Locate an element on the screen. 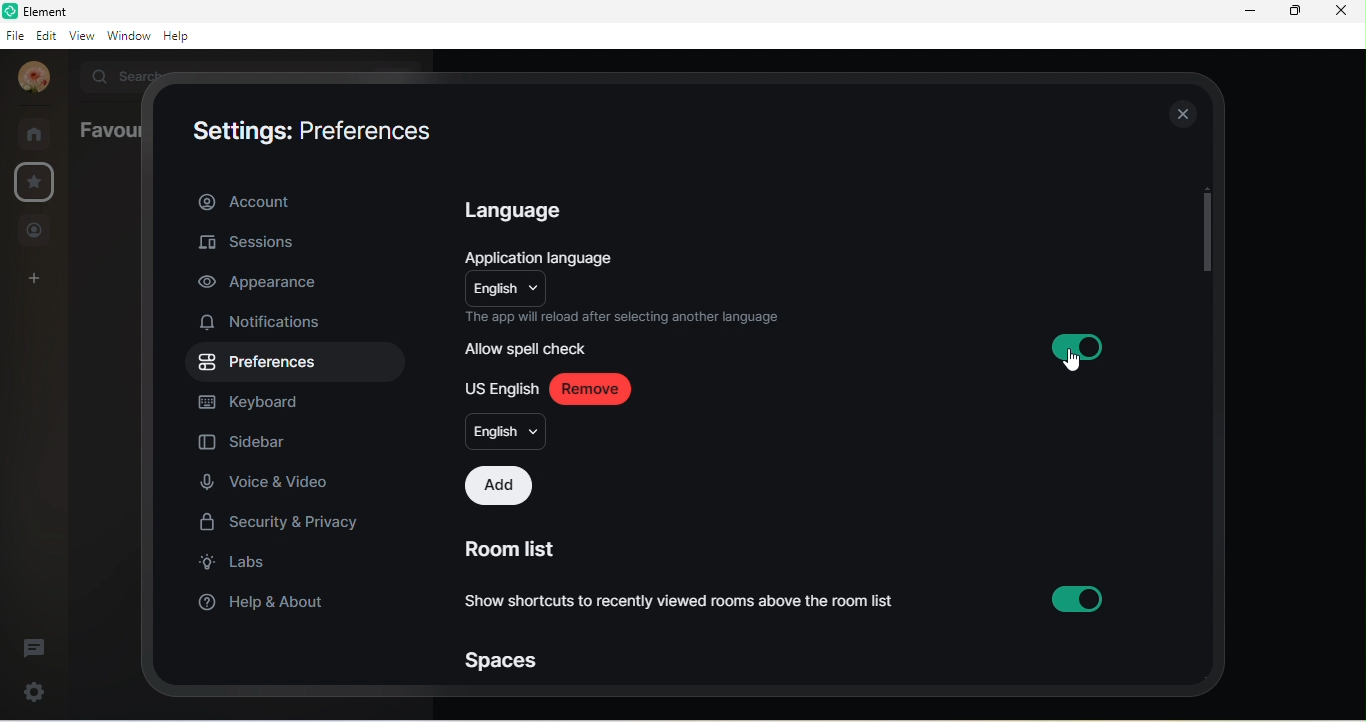  labs is located at coordinates (234, 562).